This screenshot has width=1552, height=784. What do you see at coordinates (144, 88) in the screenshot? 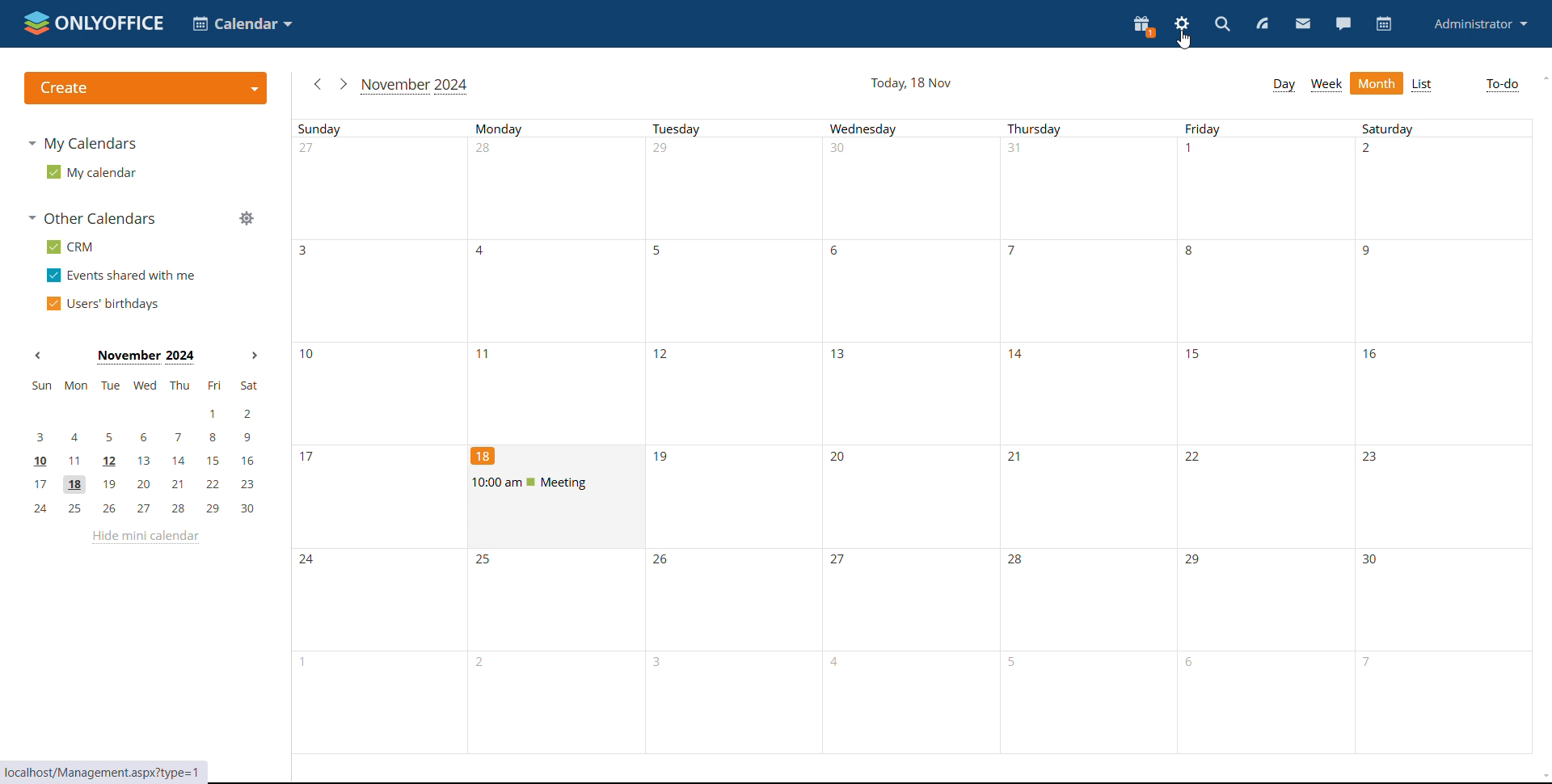
I see `create` at bounding box center [144, 88].